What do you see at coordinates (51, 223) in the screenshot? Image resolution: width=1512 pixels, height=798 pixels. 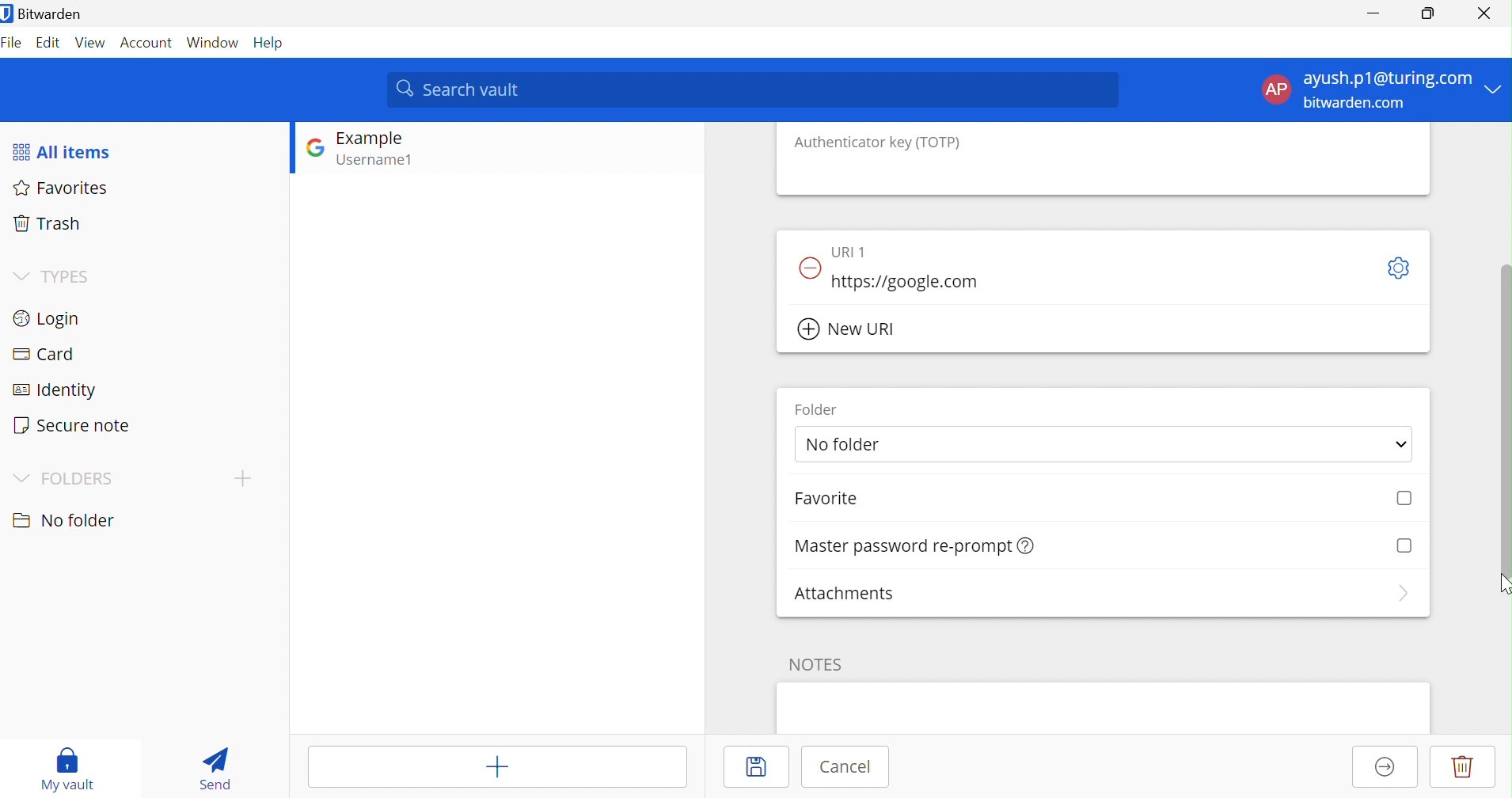 I see `` at bounding box center [51, 223].